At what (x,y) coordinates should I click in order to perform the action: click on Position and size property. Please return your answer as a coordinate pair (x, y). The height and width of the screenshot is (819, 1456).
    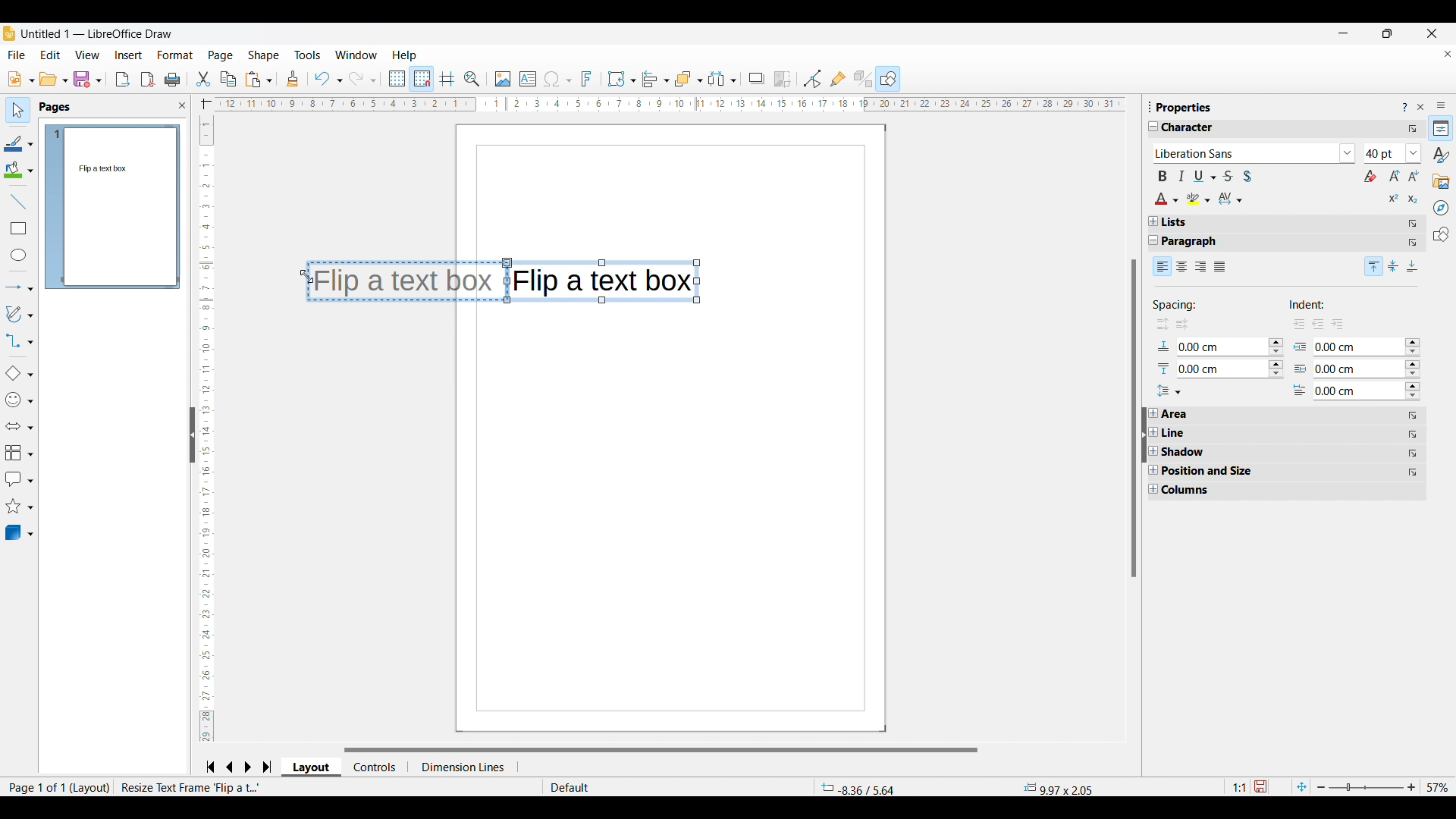
    Looking at the image, I should click on (1214, 471).